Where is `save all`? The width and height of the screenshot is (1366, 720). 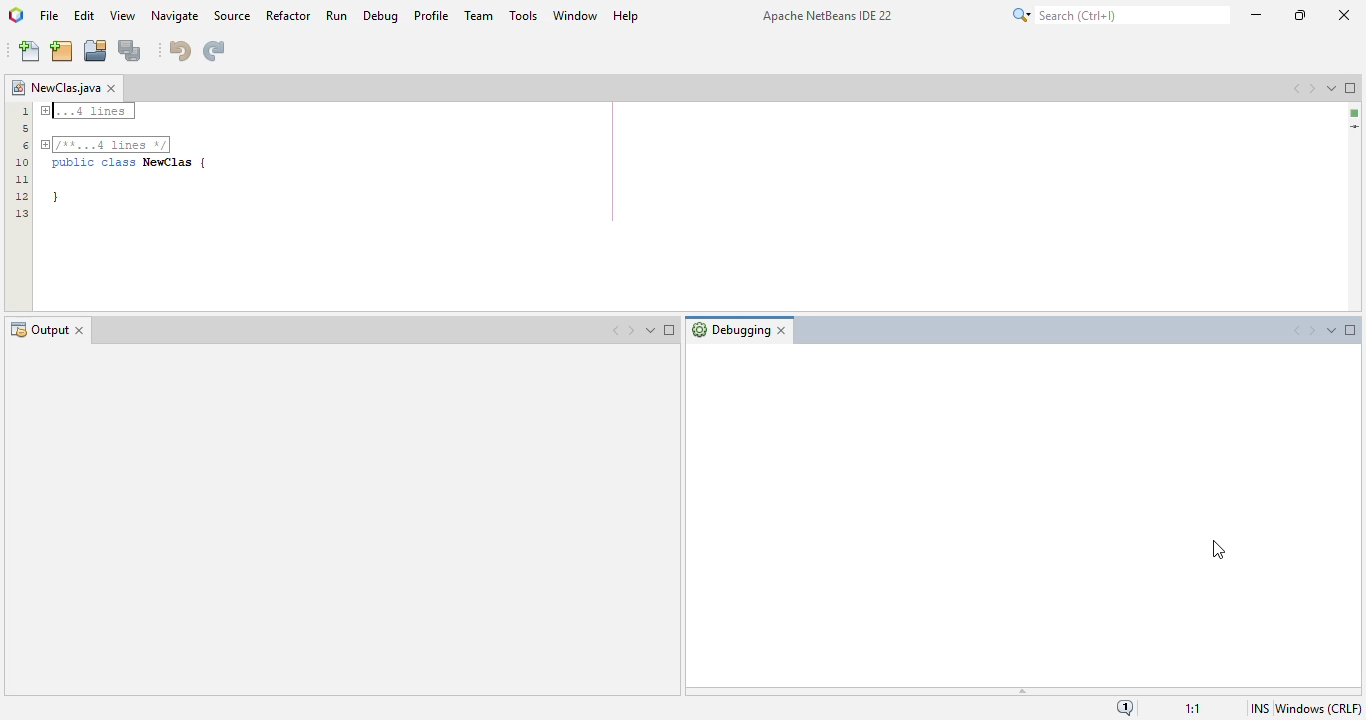
save all is located at coordinates (130, 51).